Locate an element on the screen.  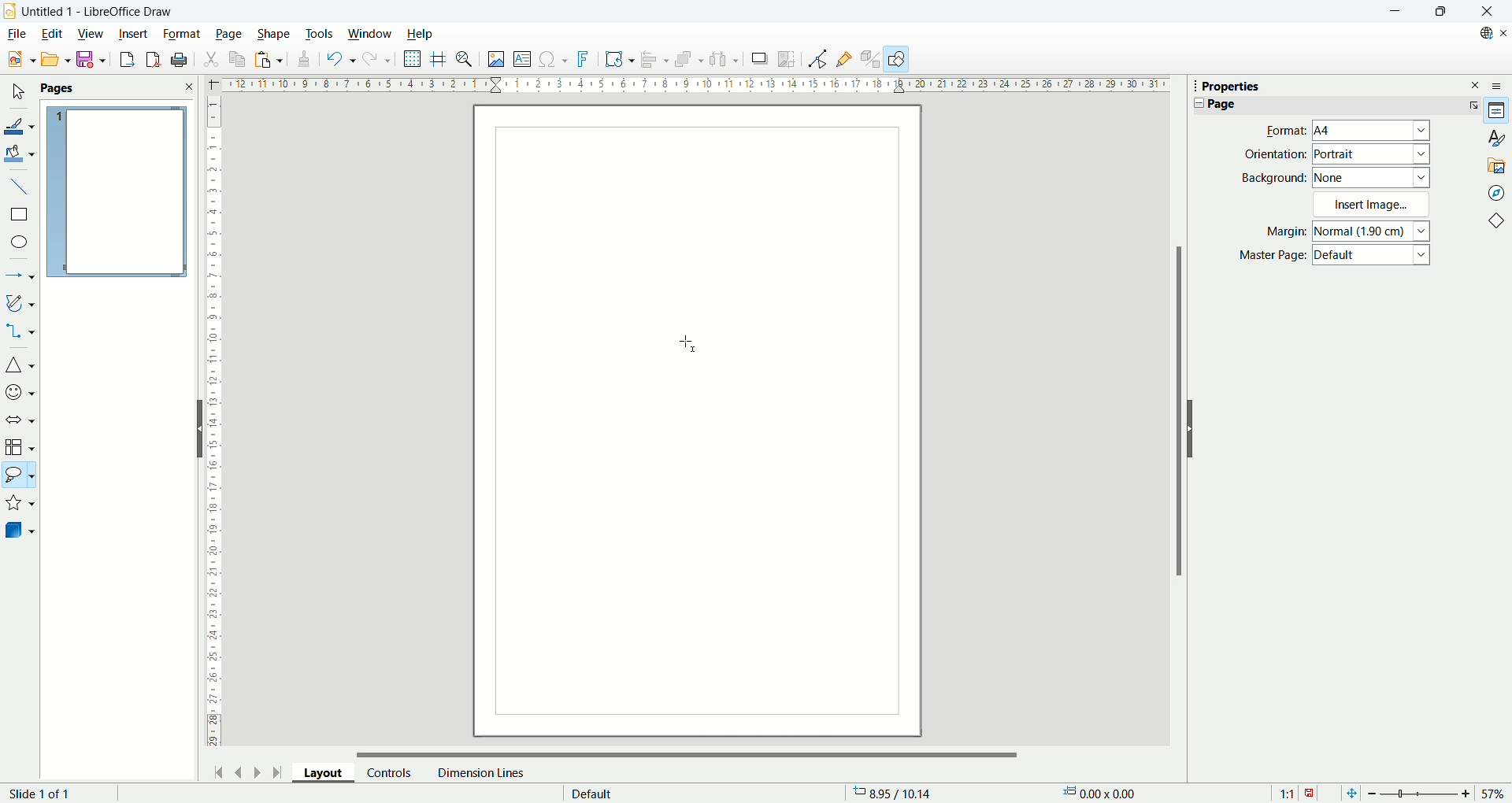
insert special character is located at coordinates (555, 58).